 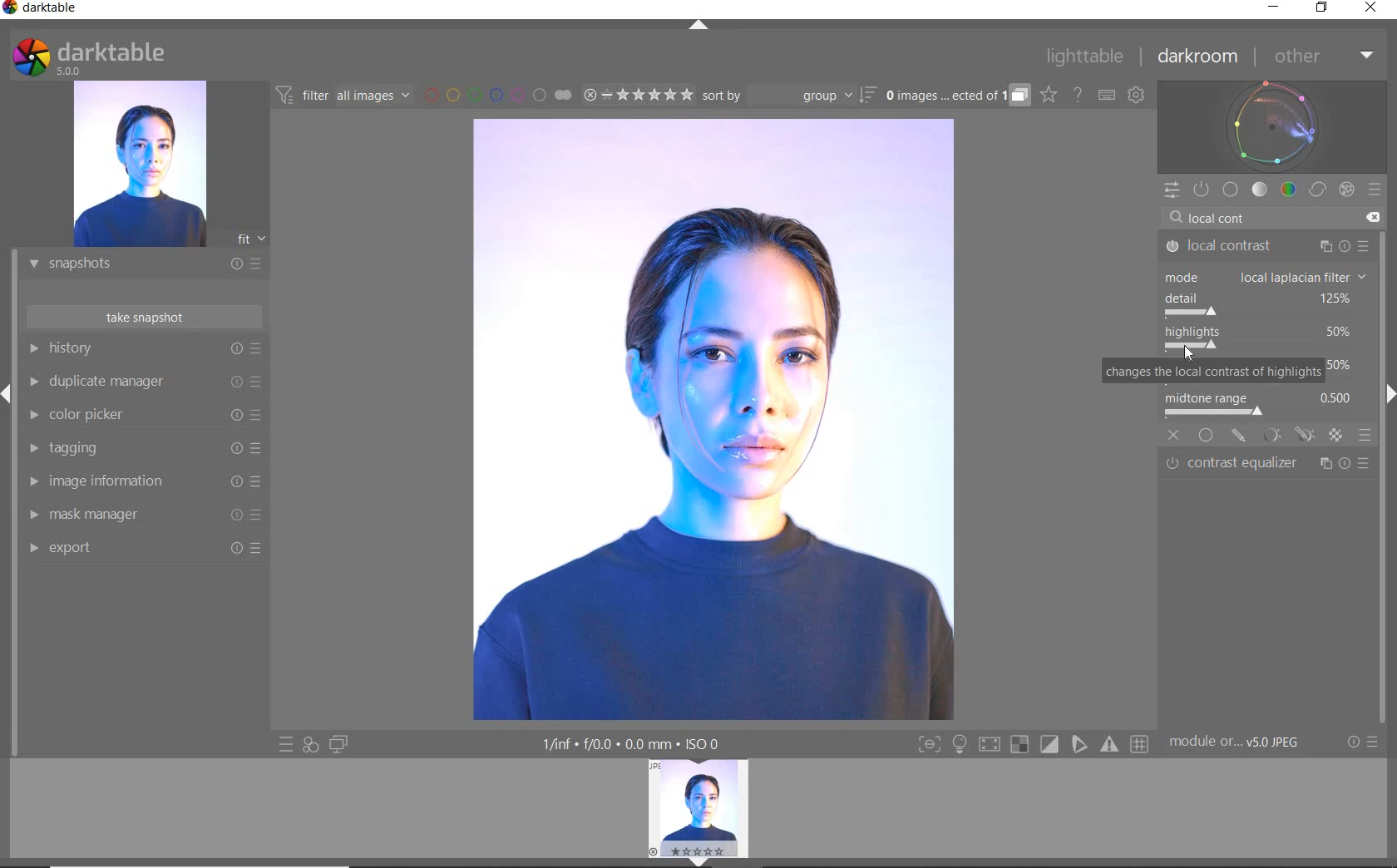 What do you see at coordinates (141, 449) in the screenshot?
I see `TAGGING` at bounding box center [141, 449].